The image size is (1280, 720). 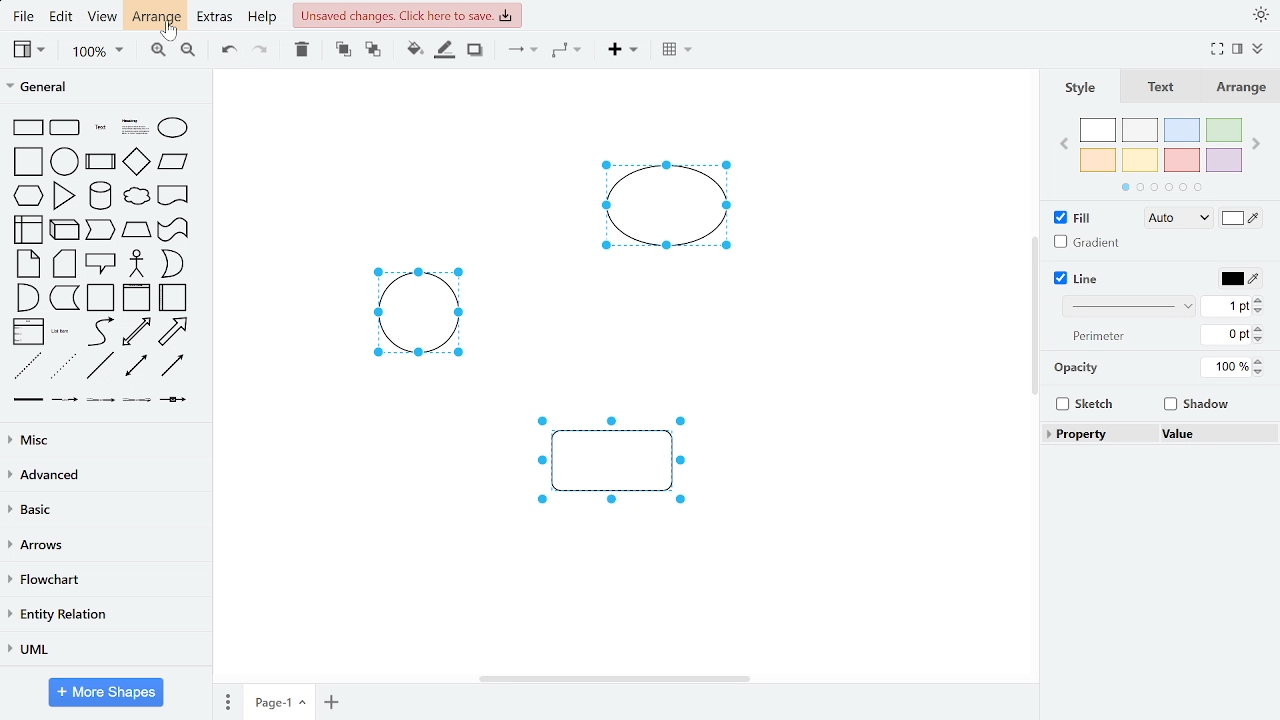 What do you see at coordinates (1197, 404) in the screenshot?
I see `Shadow` at bounding box center [1197, 404].